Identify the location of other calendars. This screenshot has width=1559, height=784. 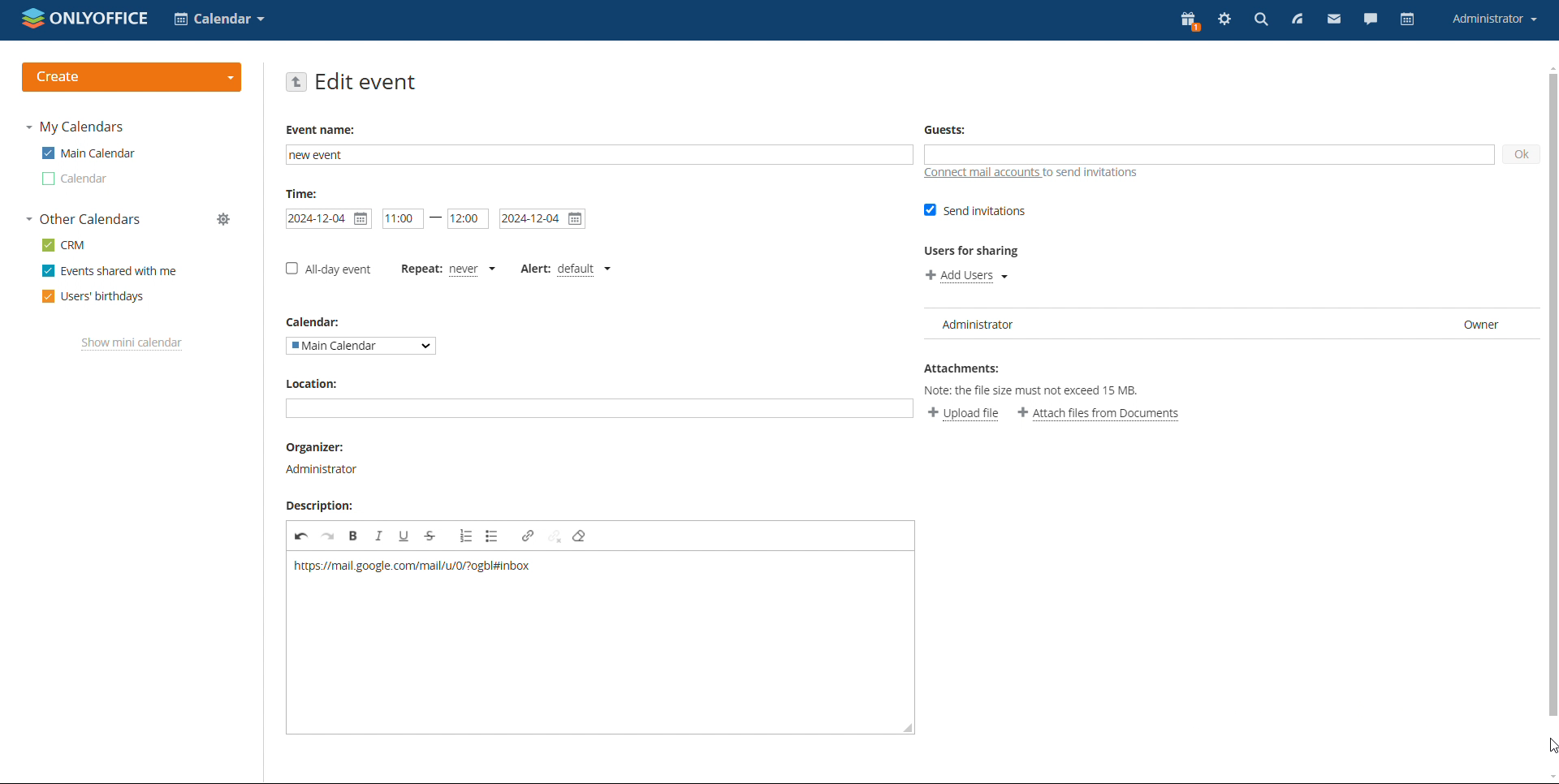
(84, 220).